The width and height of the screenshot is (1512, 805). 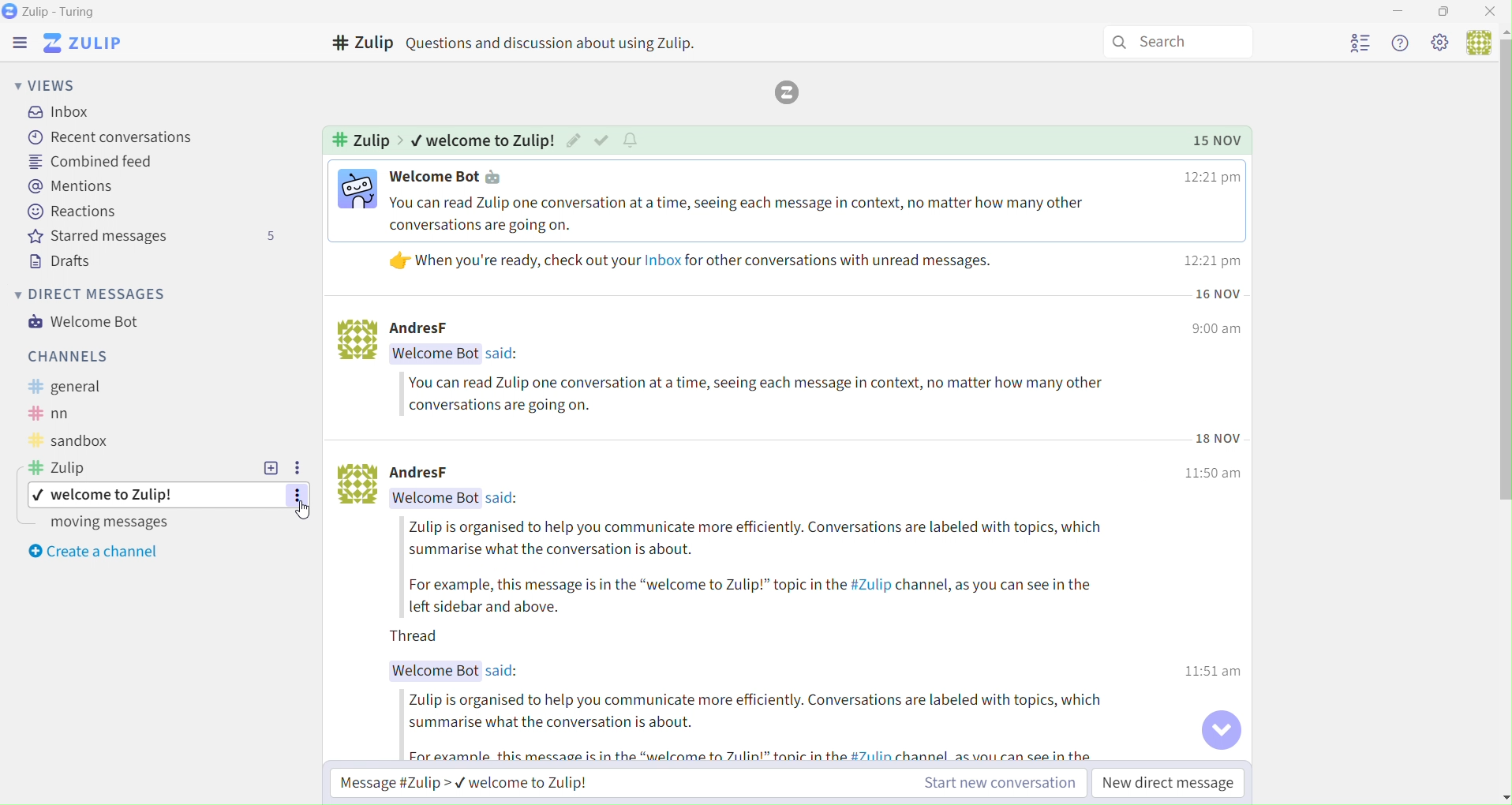 I want to click on Vertical slide bar, so click(x=1503, y=414).